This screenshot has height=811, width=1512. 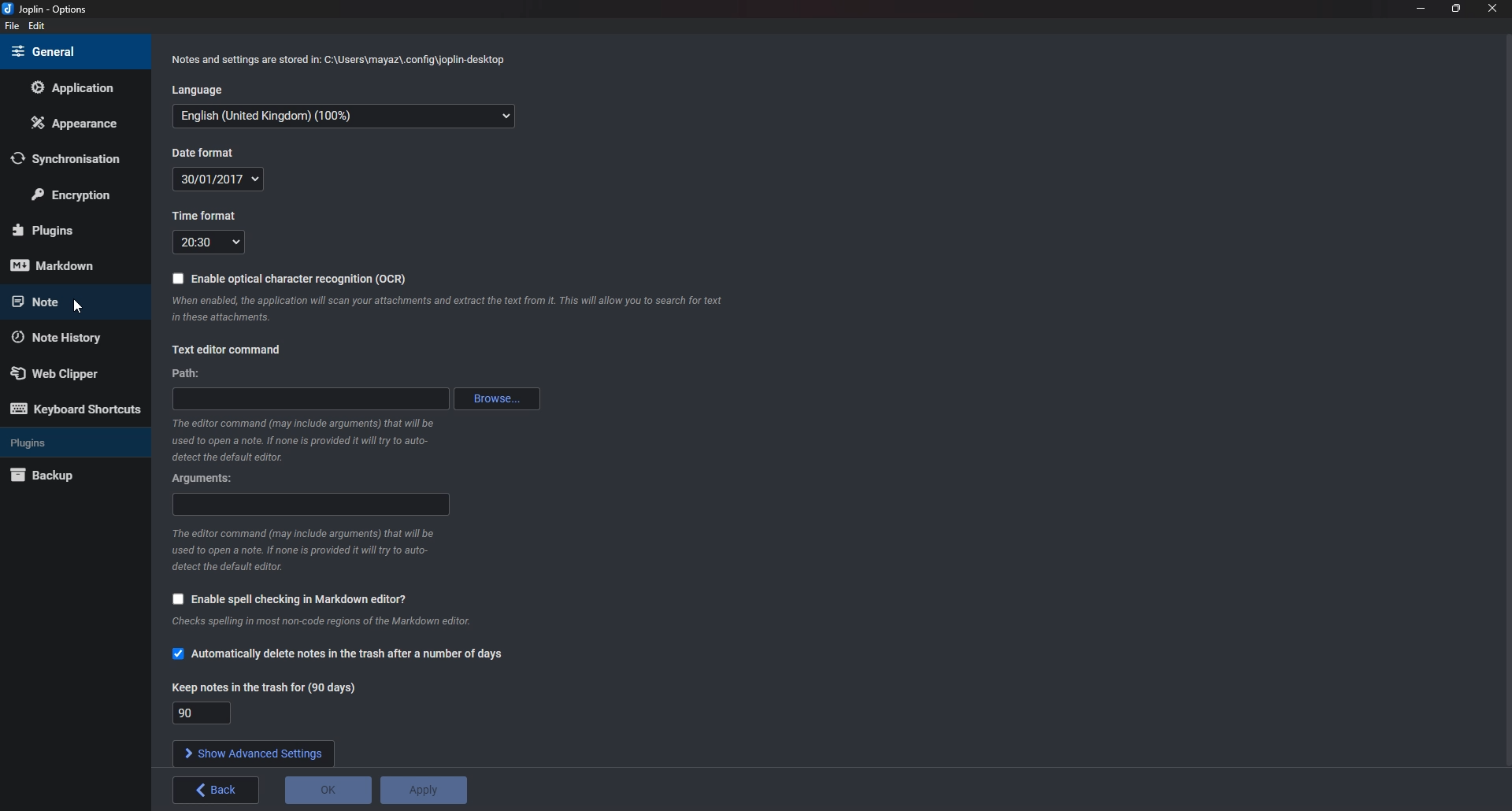 What do you see at coordinates (502, 399) in the screenshot?
I see `Browse` at bounding box center [502, 399].